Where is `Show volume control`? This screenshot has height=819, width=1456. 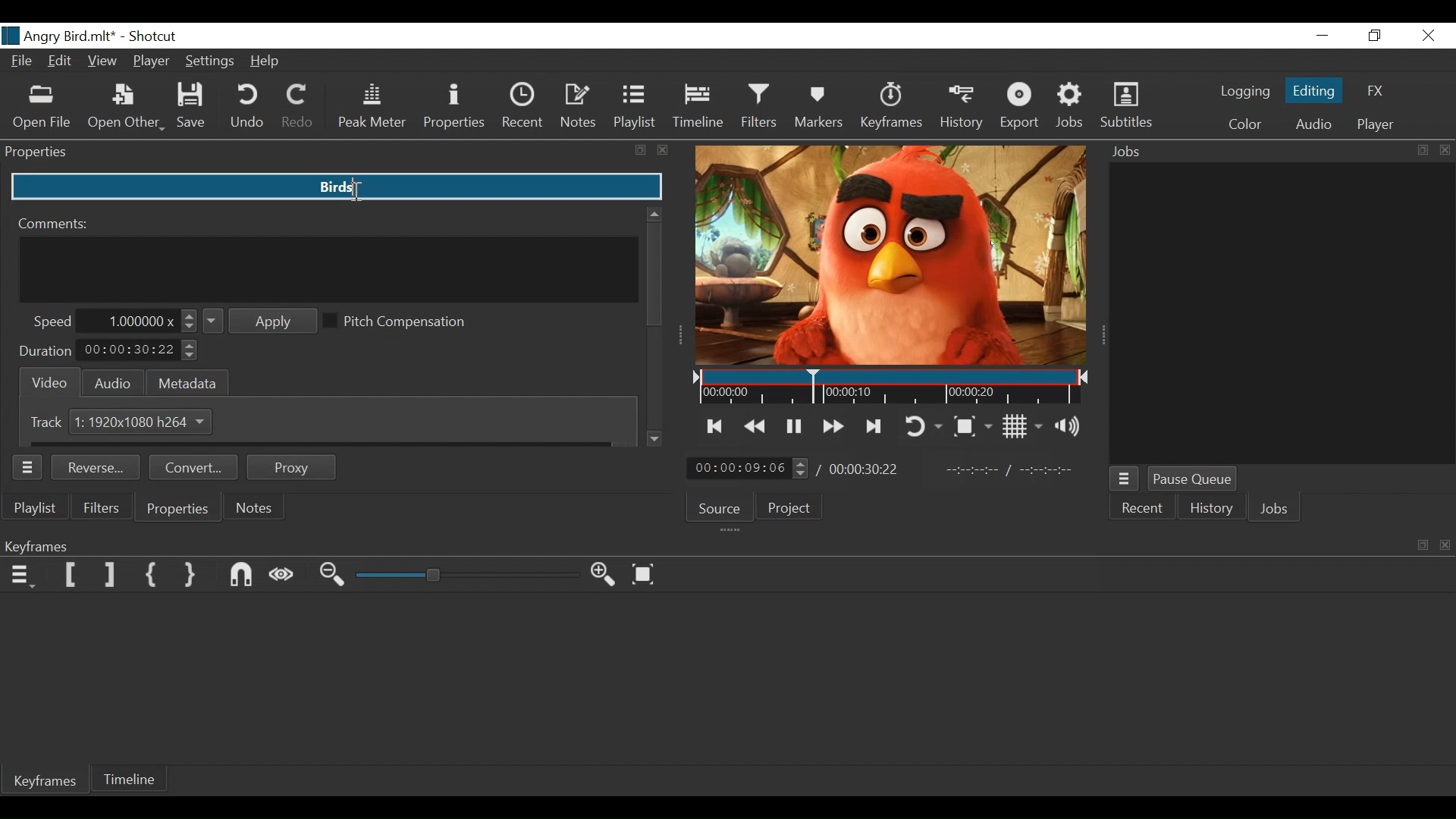 Show volume control is located at coordinates (1072, 428).